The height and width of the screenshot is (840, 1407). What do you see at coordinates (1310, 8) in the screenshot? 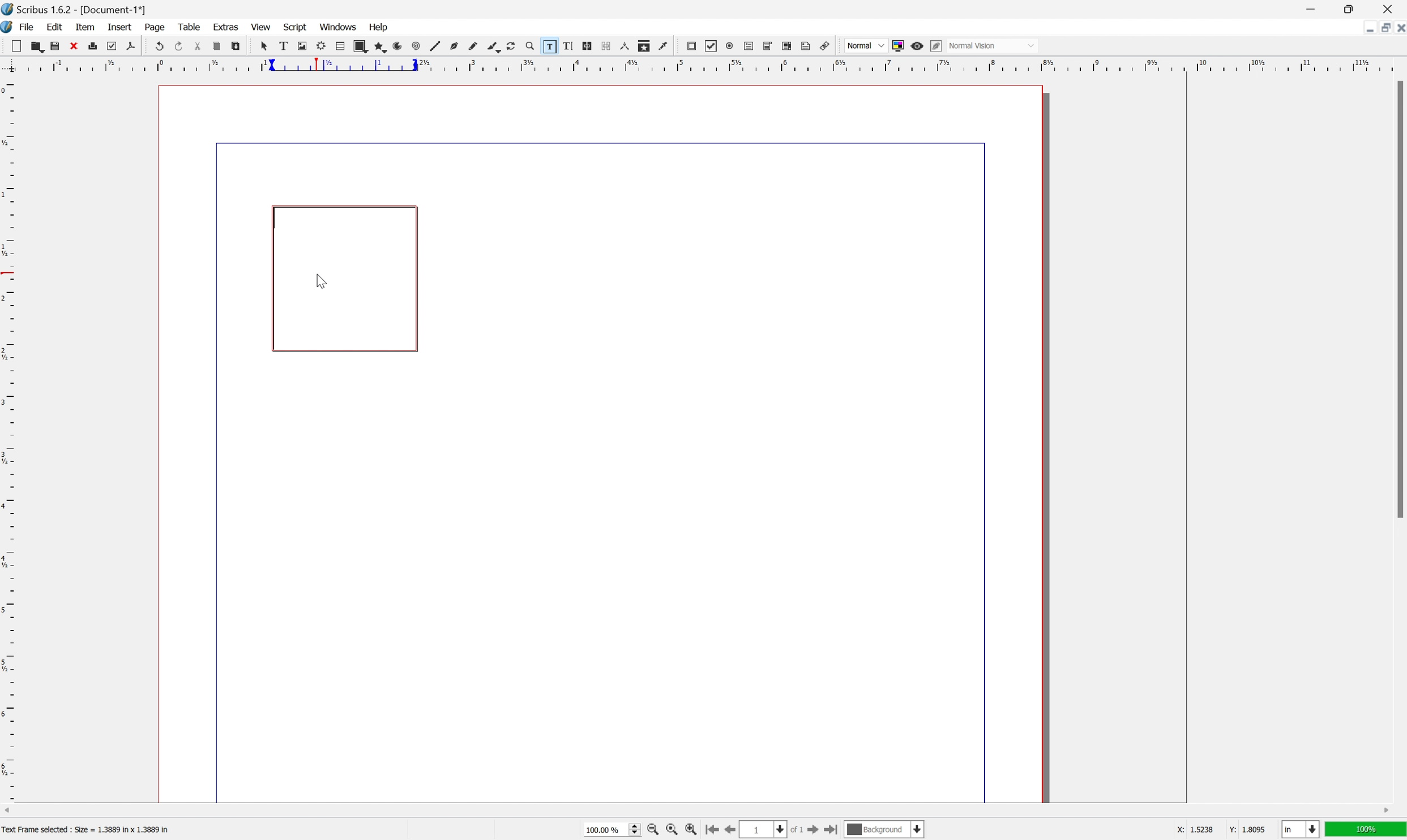
I see `minimize` at bounding box center [1310, 8].